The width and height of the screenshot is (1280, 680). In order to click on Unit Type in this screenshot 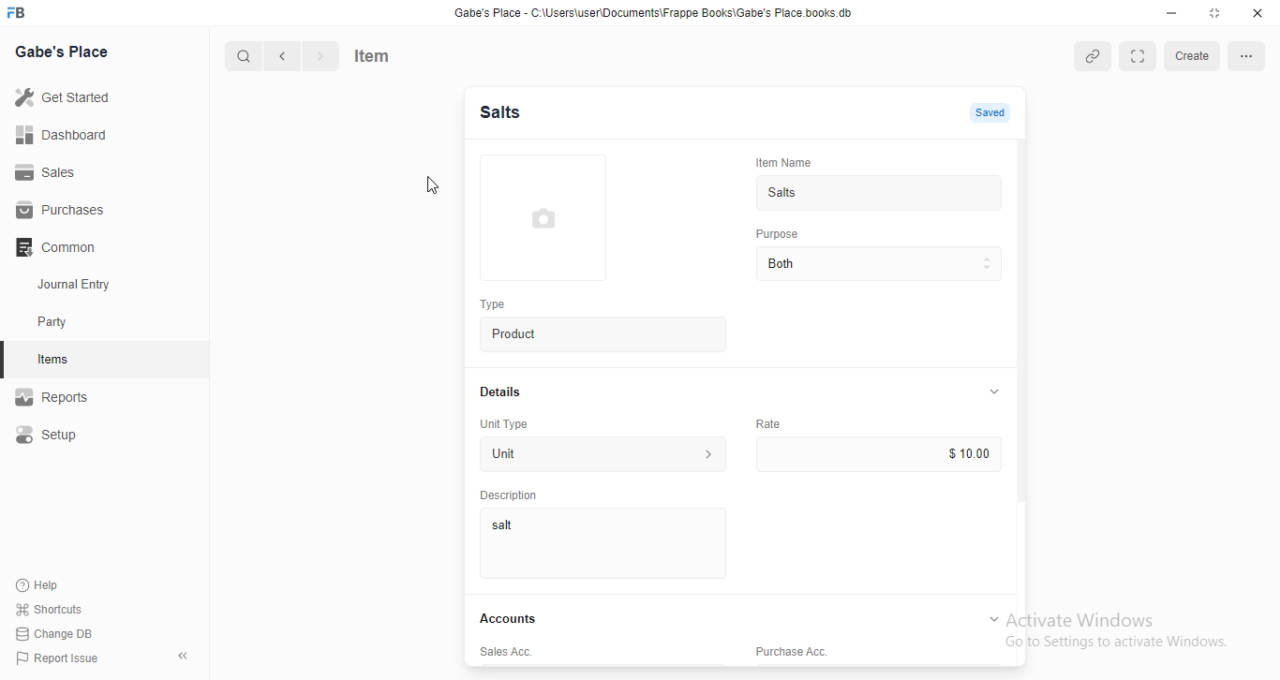, I will do `click(506, 424)`.